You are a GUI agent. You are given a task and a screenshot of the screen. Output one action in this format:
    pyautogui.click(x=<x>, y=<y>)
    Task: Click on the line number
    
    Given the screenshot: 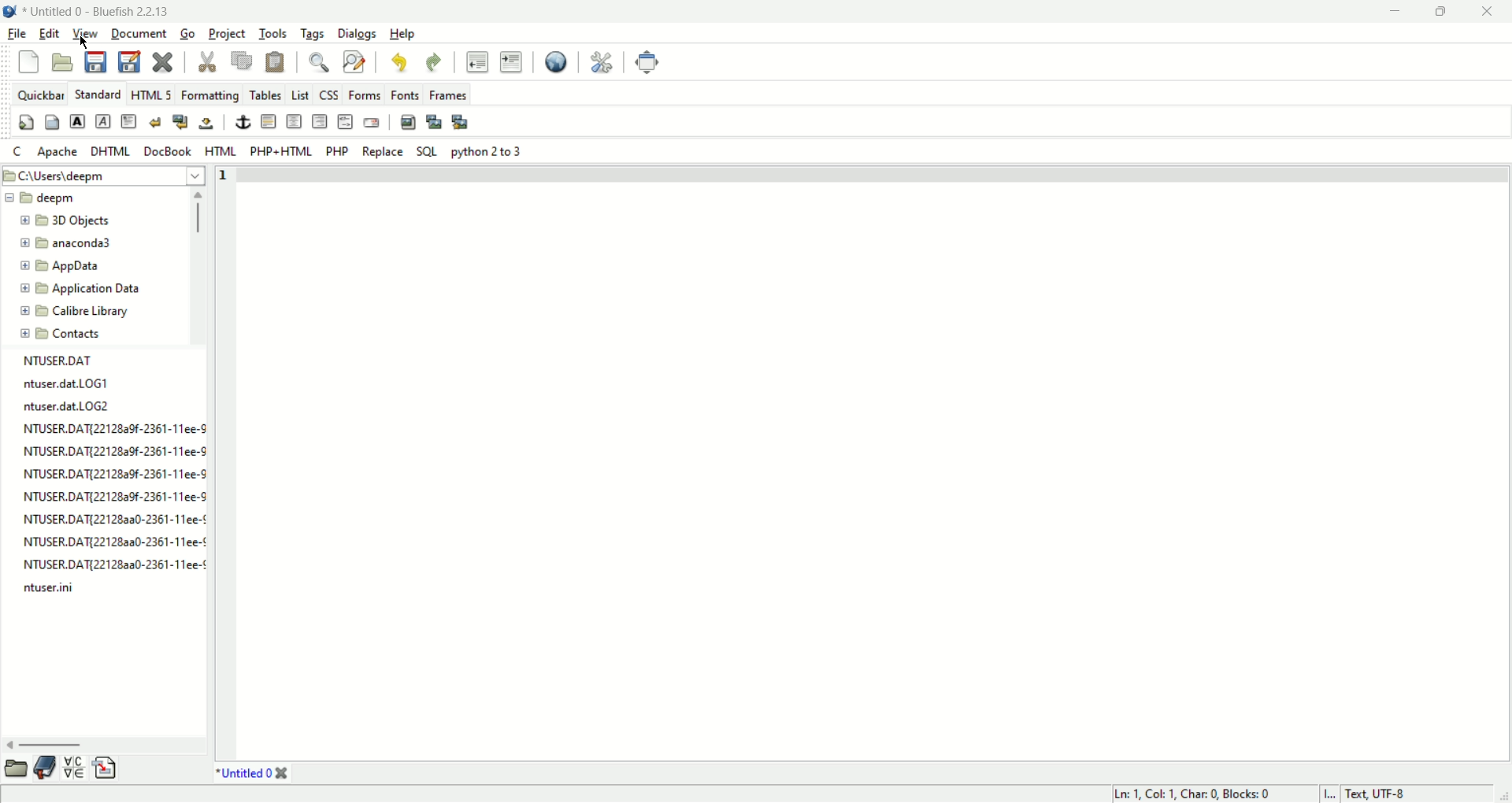 What is the action you would take?
    pyautogui.click(x=224, y=178)
    